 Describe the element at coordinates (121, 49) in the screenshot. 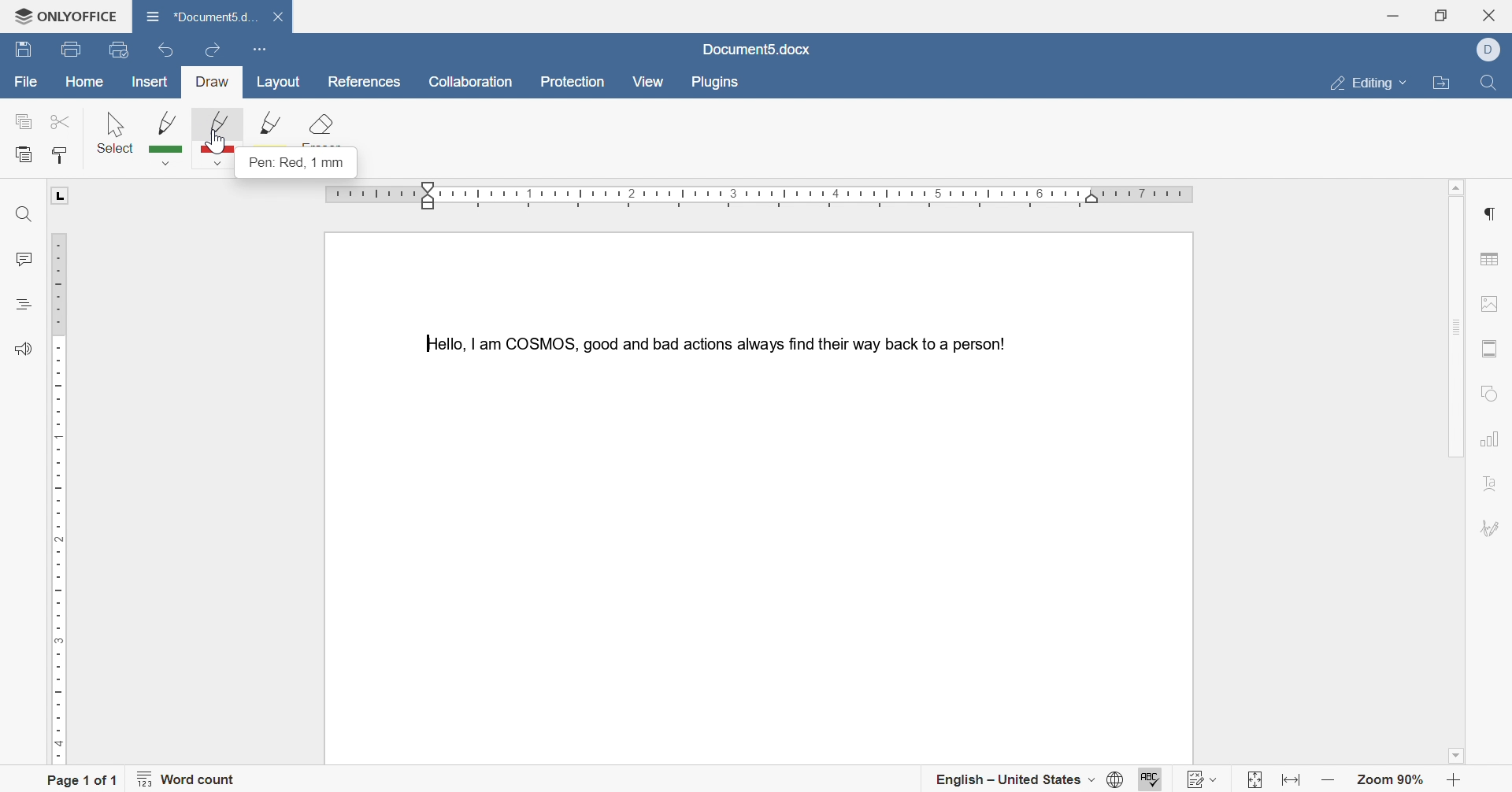

I see `quick print` at that location.